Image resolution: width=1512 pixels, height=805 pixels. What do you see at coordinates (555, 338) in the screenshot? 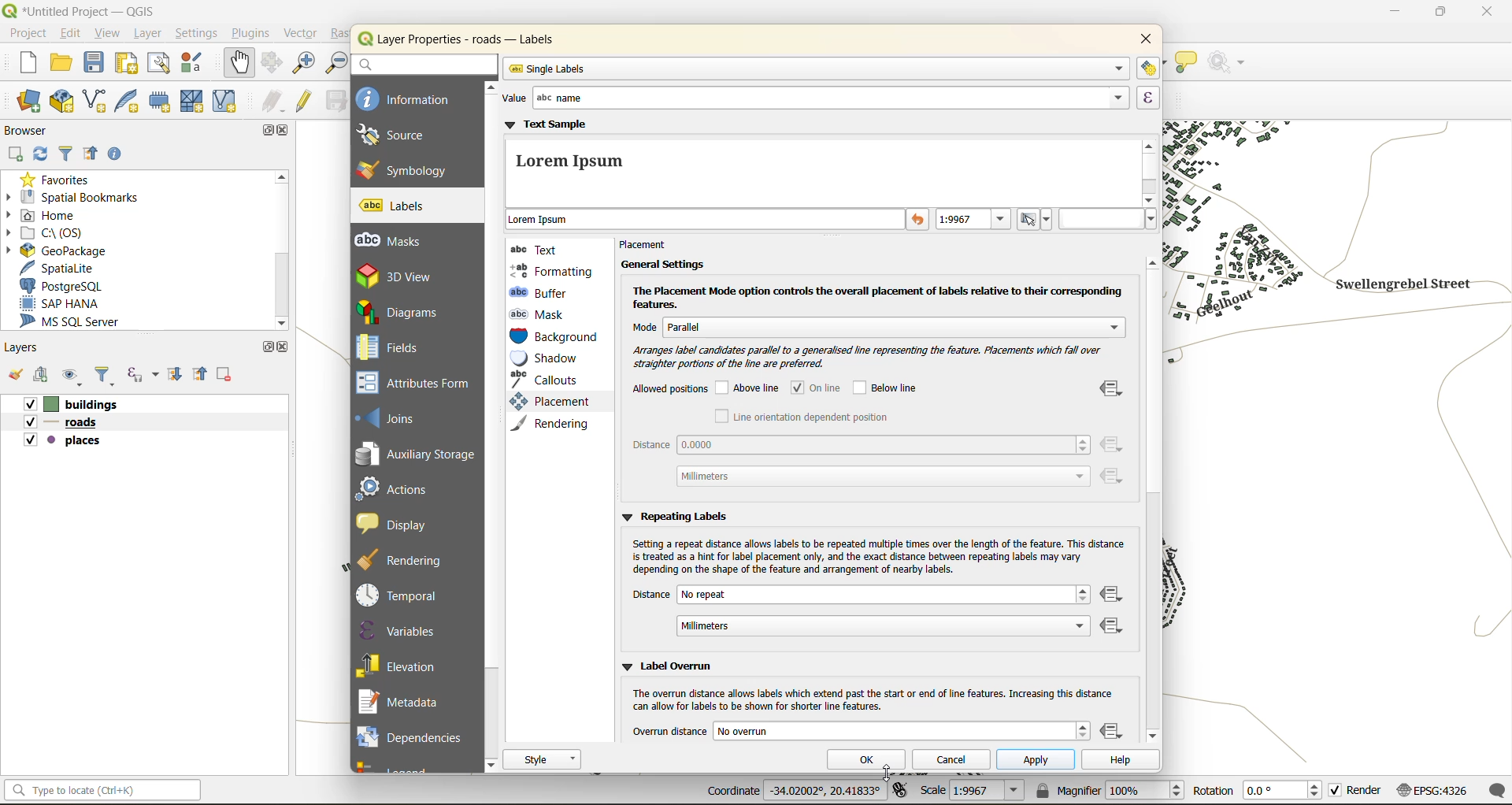
I see `background` at bounding box center [555, 338].